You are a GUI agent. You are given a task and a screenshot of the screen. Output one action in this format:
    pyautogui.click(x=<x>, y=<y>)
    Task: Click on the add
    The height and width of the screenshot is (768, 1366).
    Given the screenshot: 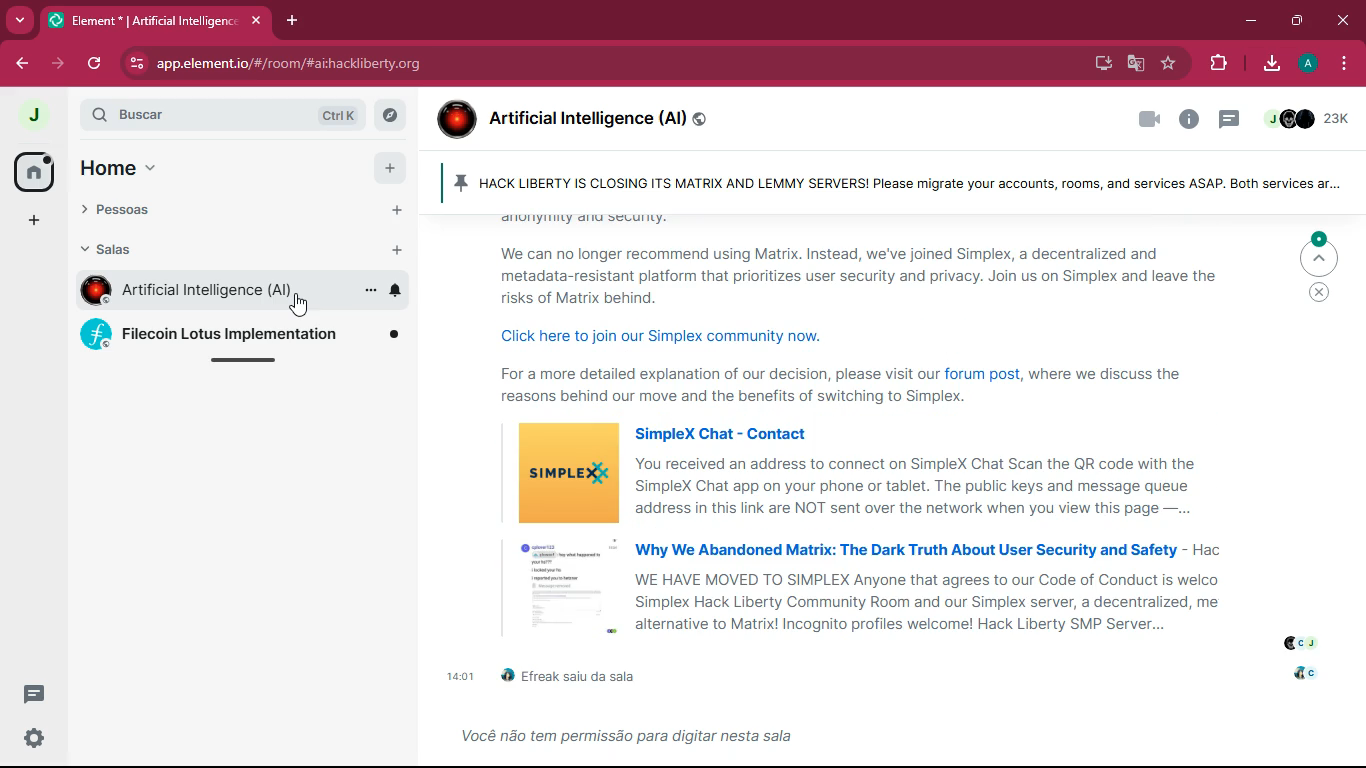 What is the action you would take?
    pyautogui.click(x=34, y=221)
    